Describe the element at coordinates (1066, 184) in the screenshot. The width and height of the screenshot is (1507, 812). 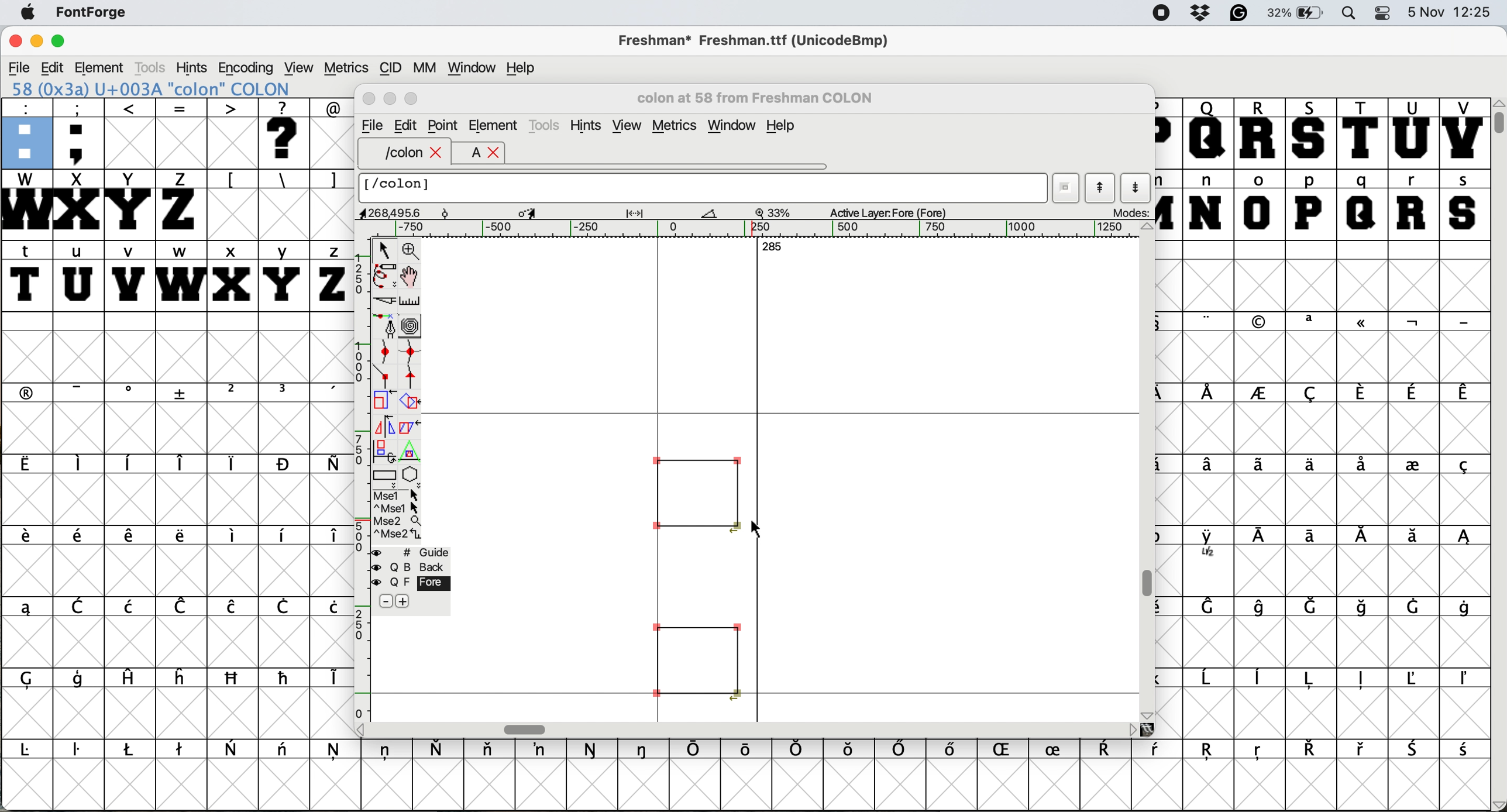
I see `current word list` at that location.